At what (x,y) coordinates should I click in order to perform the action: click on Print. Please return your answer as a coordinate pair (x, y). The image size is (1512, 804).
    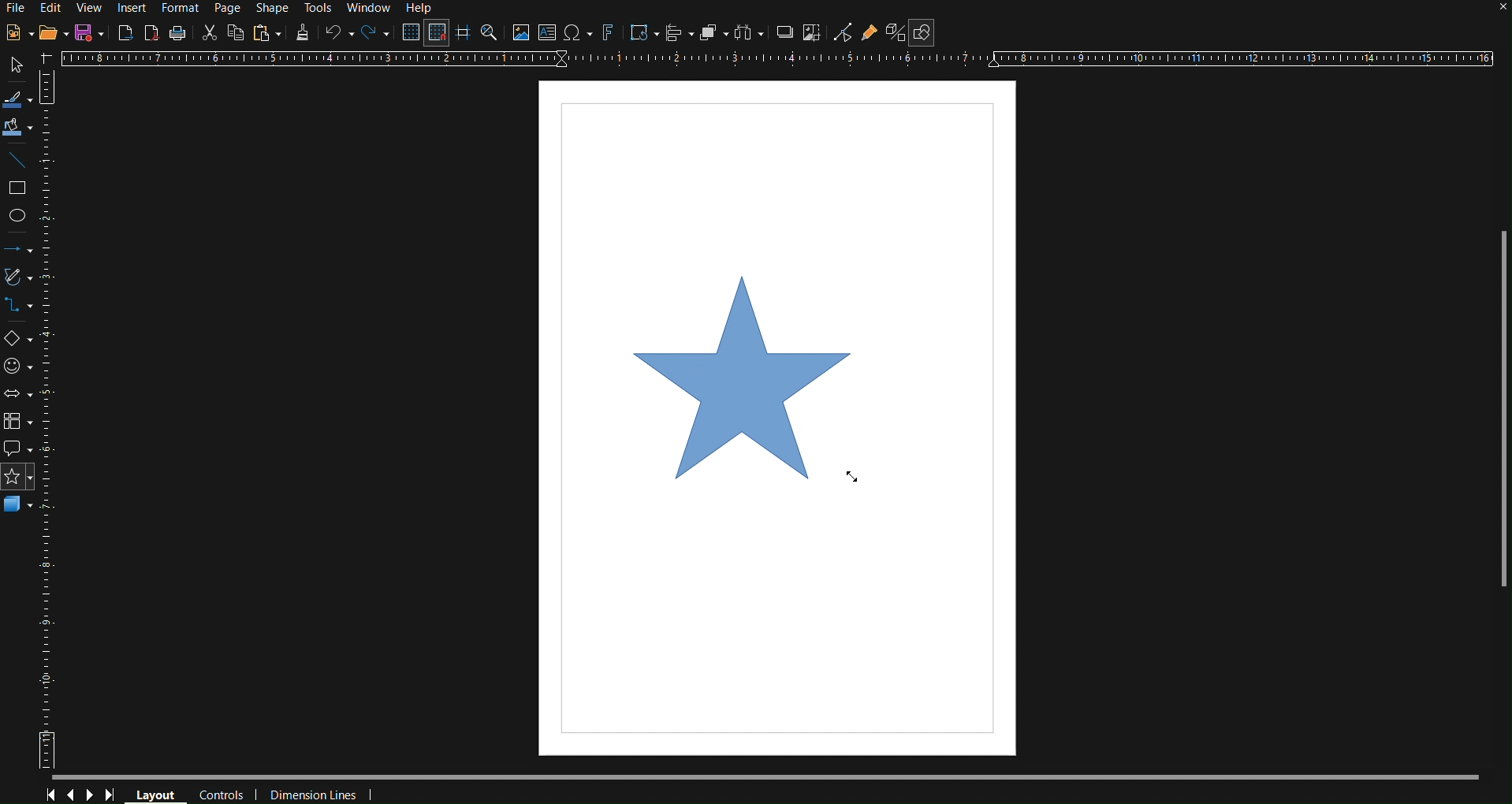
    Looking at the image, I should click on (179, 32).